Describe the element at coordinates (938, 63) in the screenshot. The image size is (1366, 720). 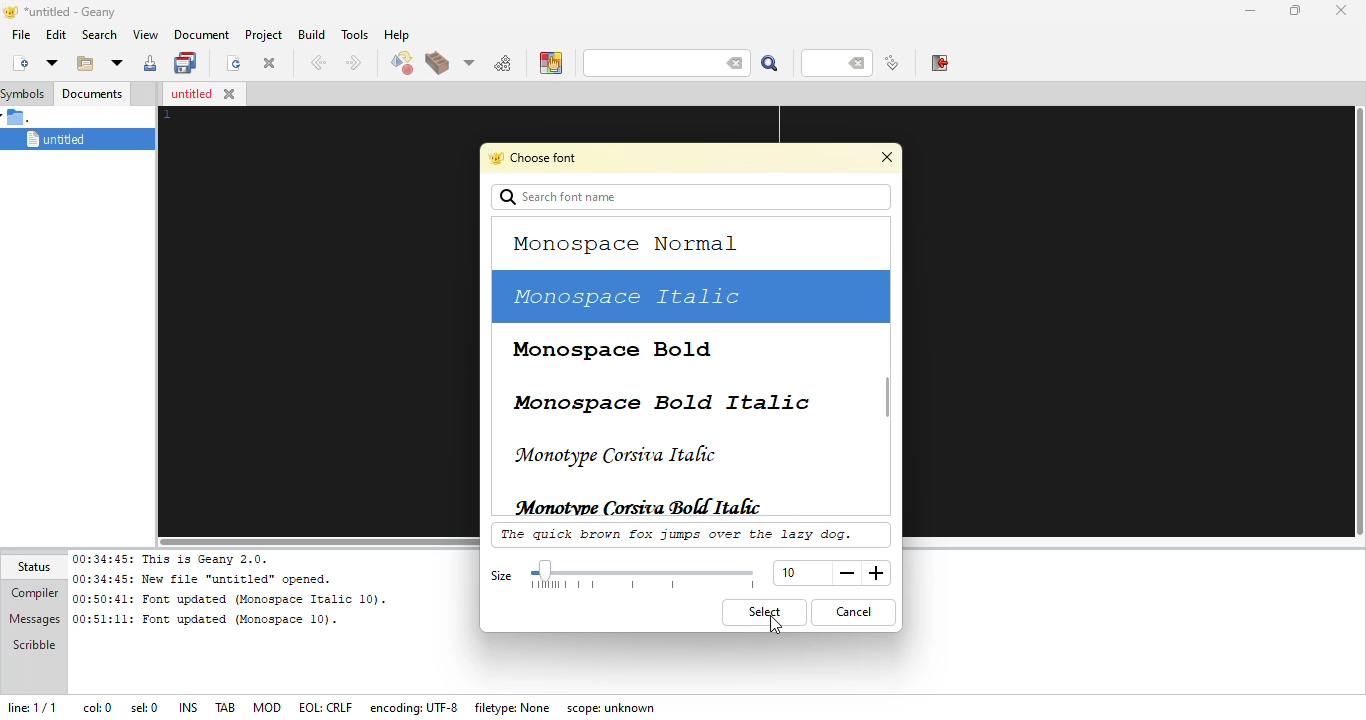
I see `exit` at that location.